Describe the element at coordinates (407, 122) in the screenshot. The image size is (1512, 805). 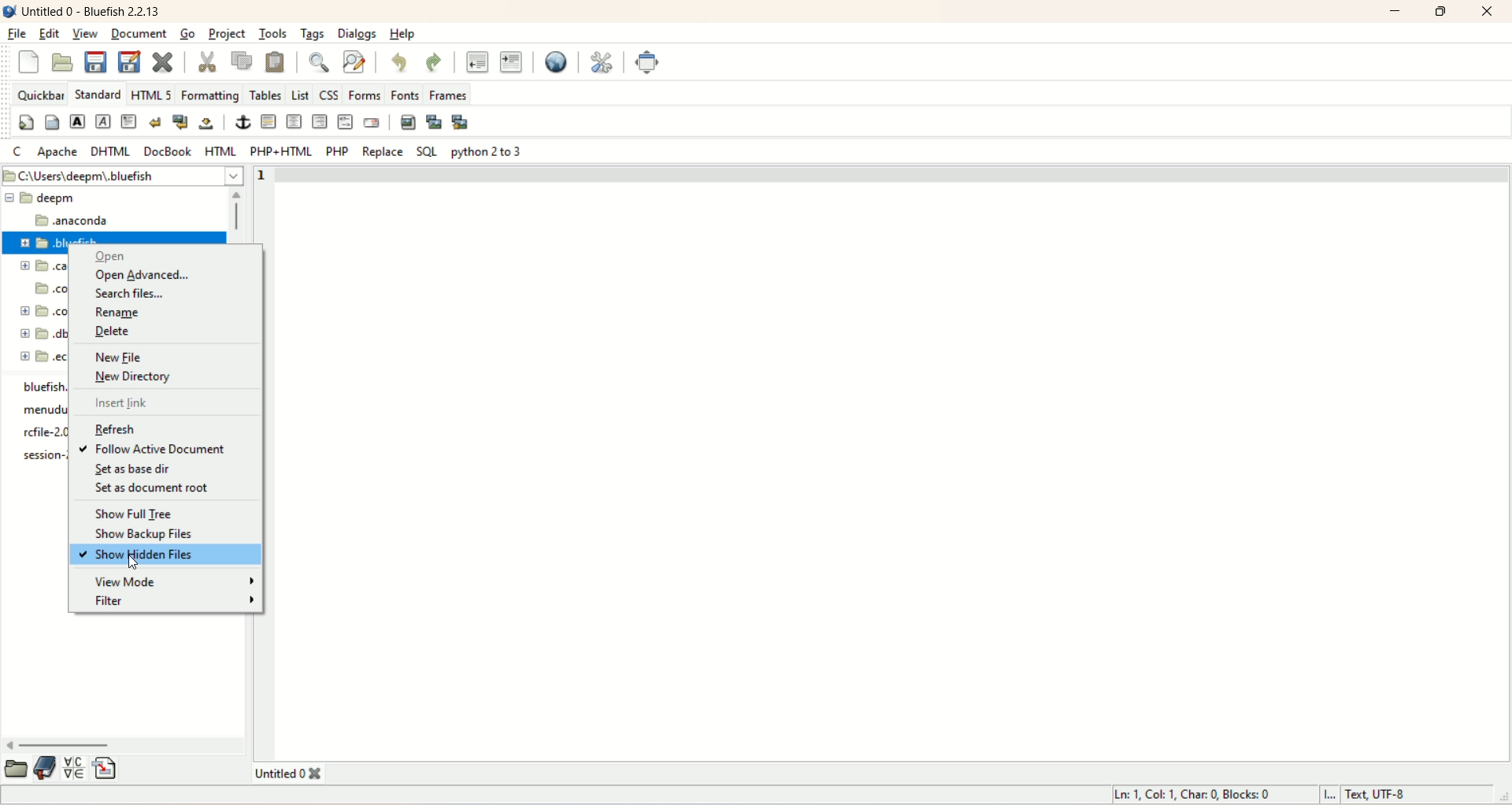
I see `insert image` at that location.